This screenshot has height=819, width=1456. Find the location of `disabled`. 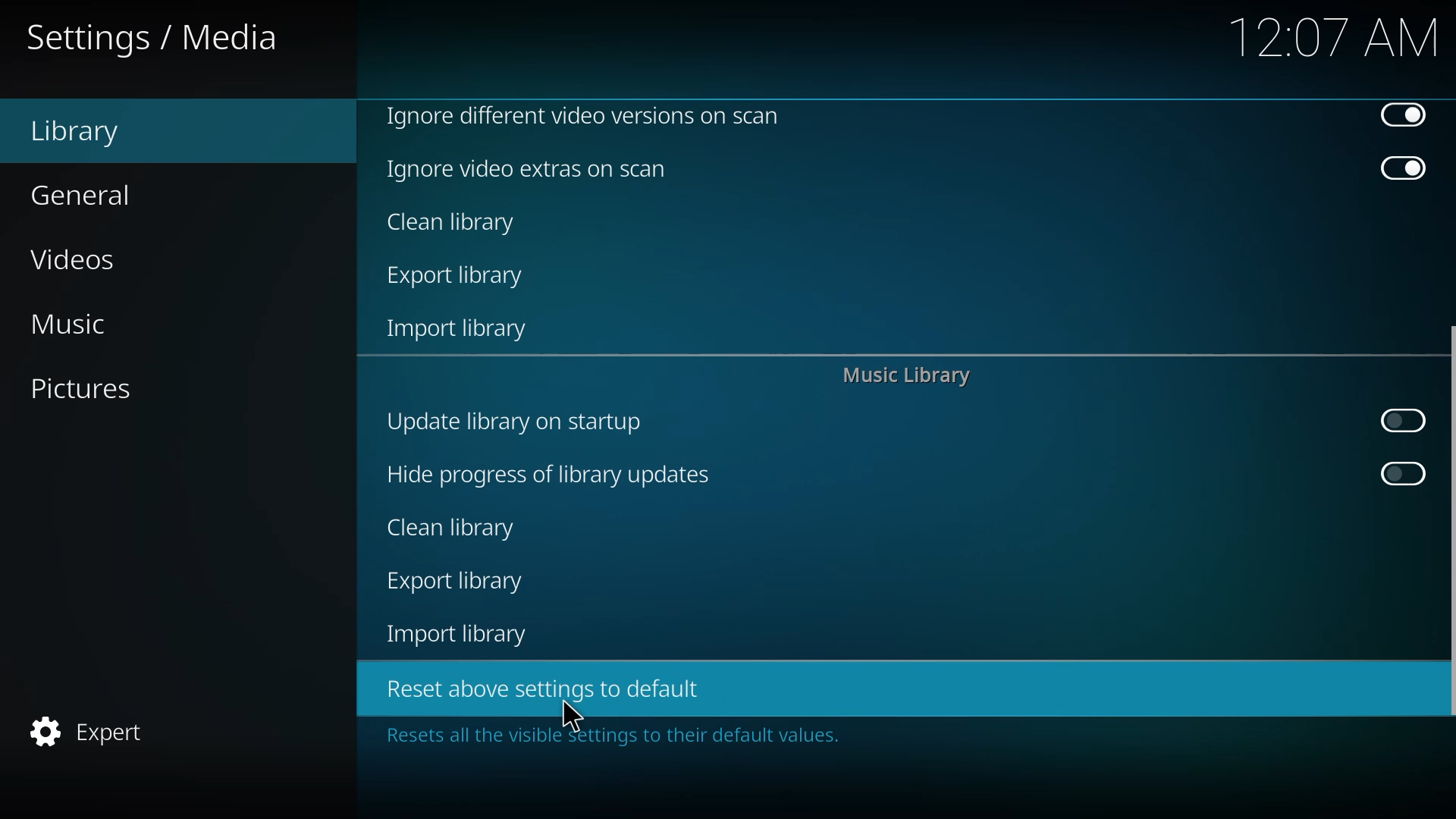

disabled is located at coordinates (1403, 170).